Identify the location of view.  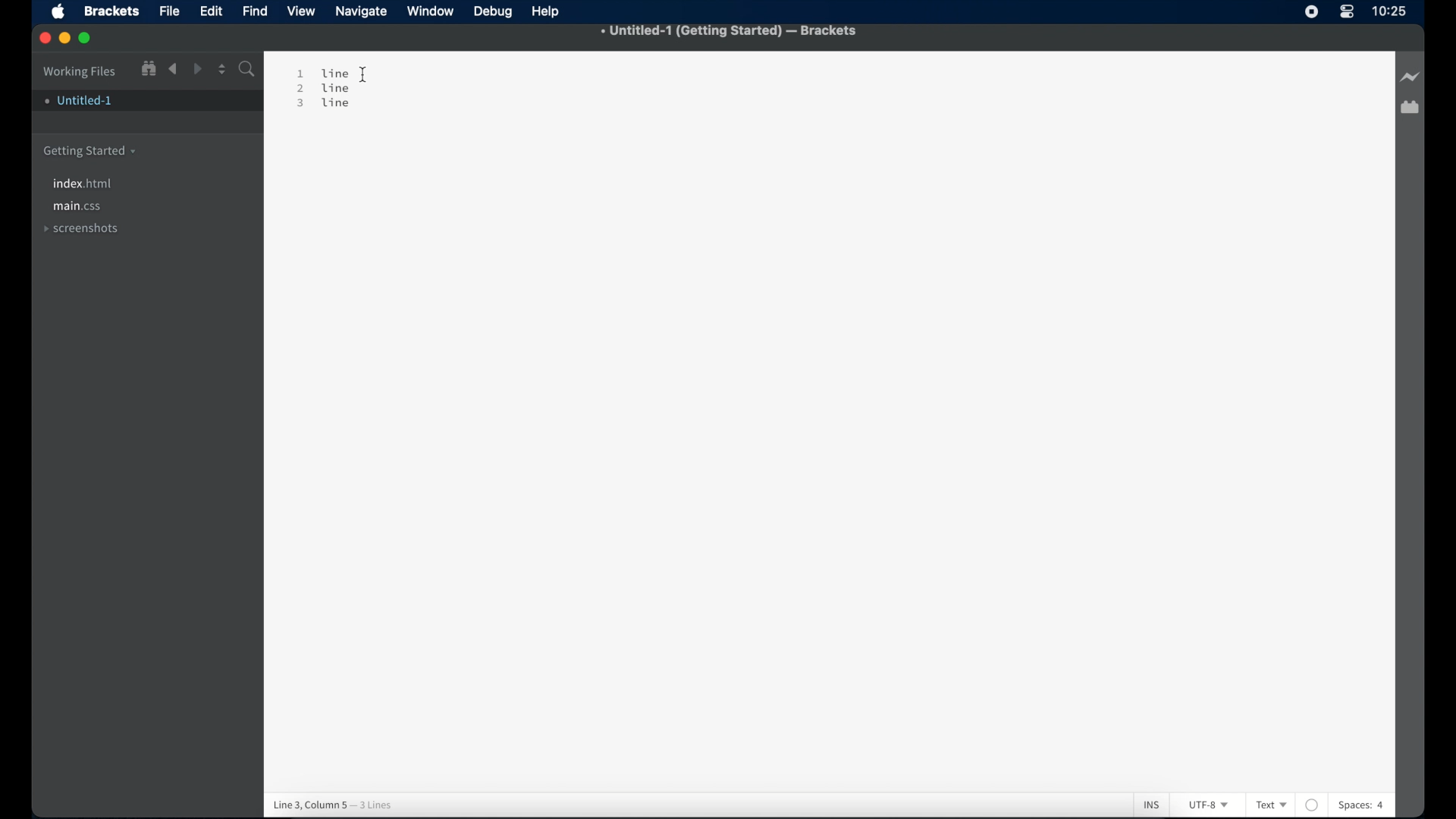
(303, 11).